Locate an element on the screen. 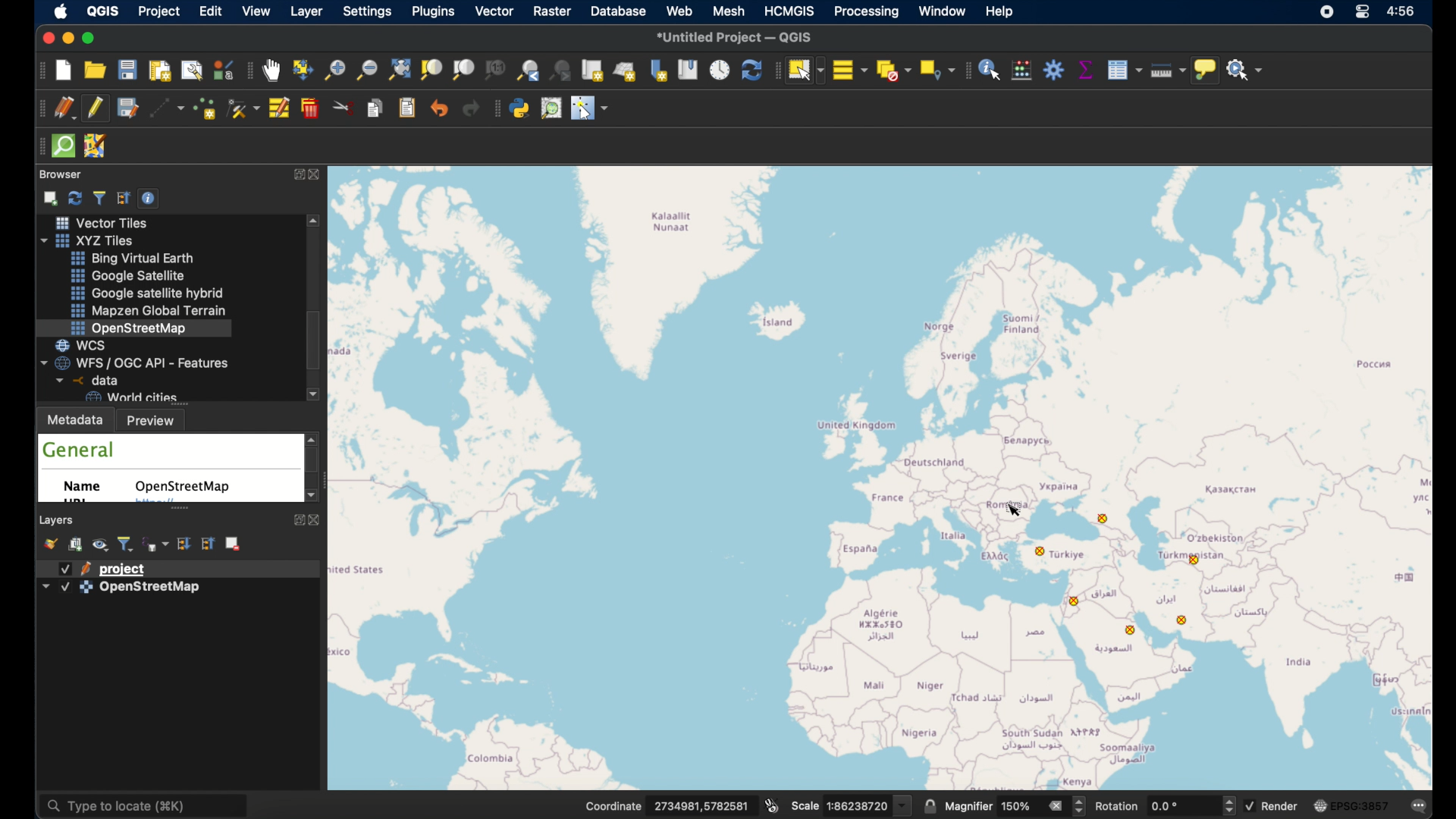 This screenshot has width=1456, height=819. save project is located at coordinates (127, 108).